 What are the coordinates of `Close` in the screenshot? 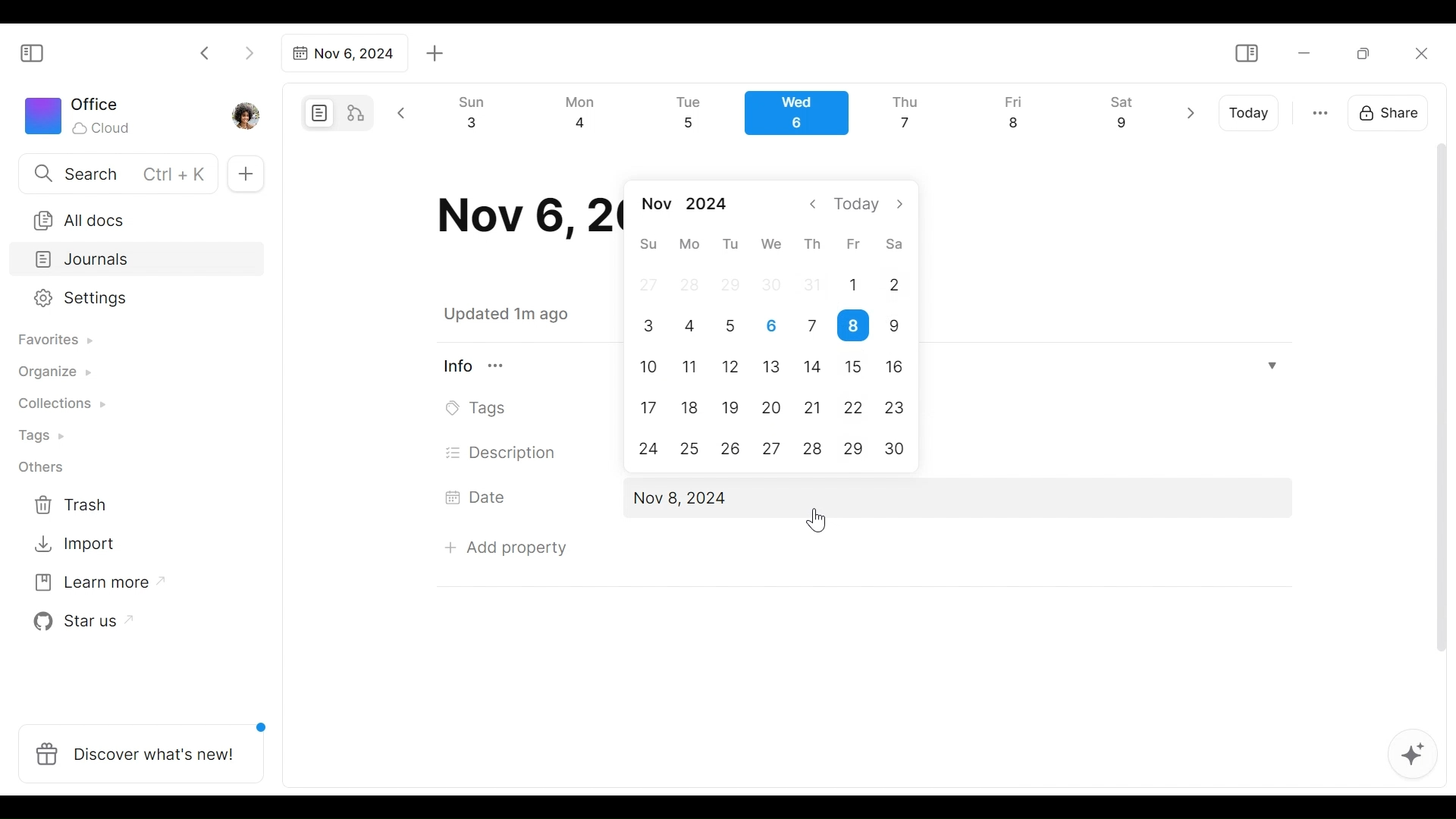 It's located at (1420, 53).